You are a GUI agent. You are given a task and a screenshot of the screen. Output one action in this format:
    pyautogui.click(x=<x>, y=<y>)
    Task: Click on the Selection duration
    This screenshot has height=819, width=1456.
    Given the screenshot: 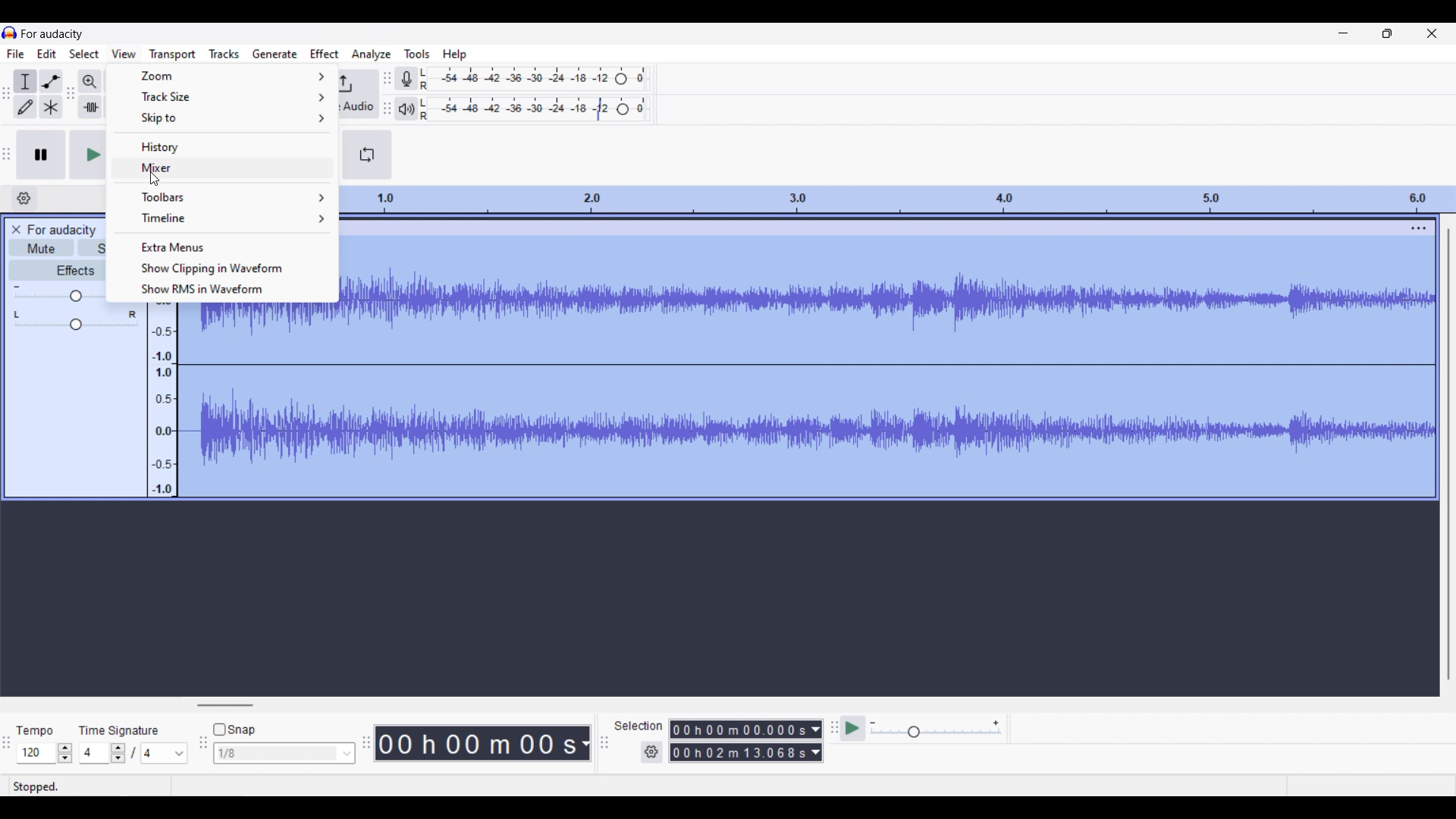 What is the action you would take?
    pyautogui.click(x=739, y=740)
    